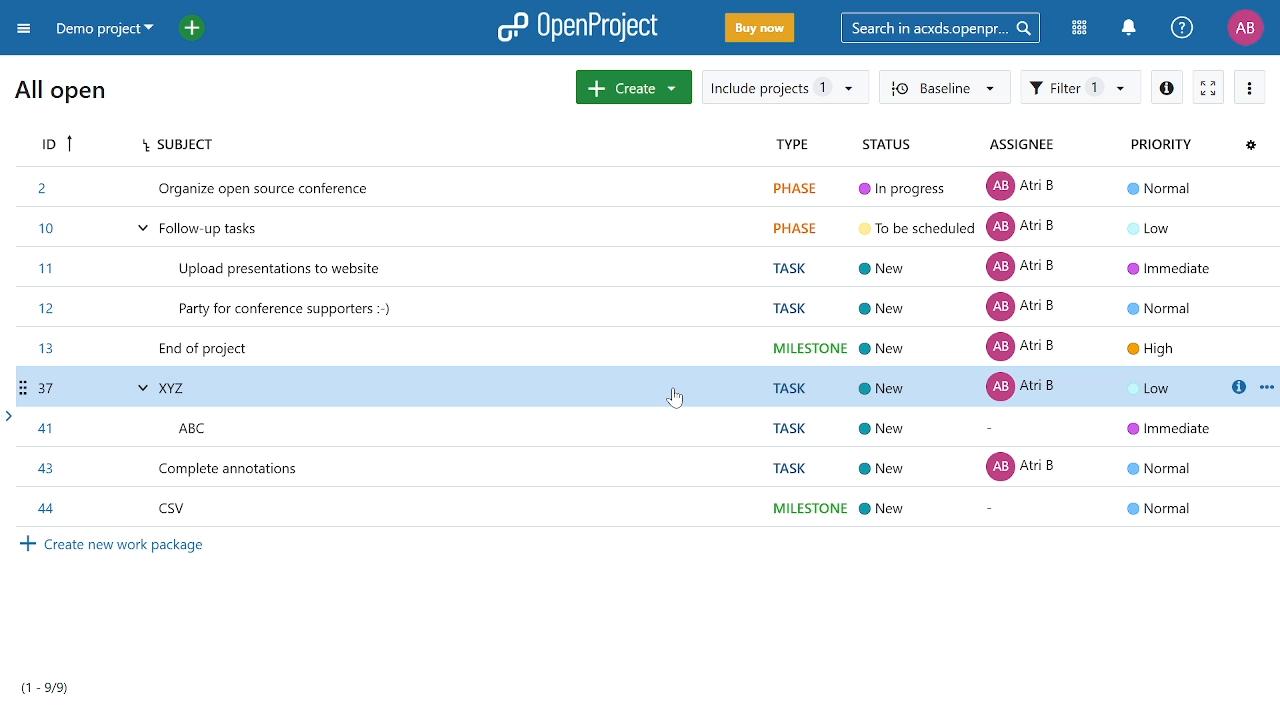  Describe the element at coordinates (646, 513) in the screenshot. I see `work package ID 44 details` at that location.